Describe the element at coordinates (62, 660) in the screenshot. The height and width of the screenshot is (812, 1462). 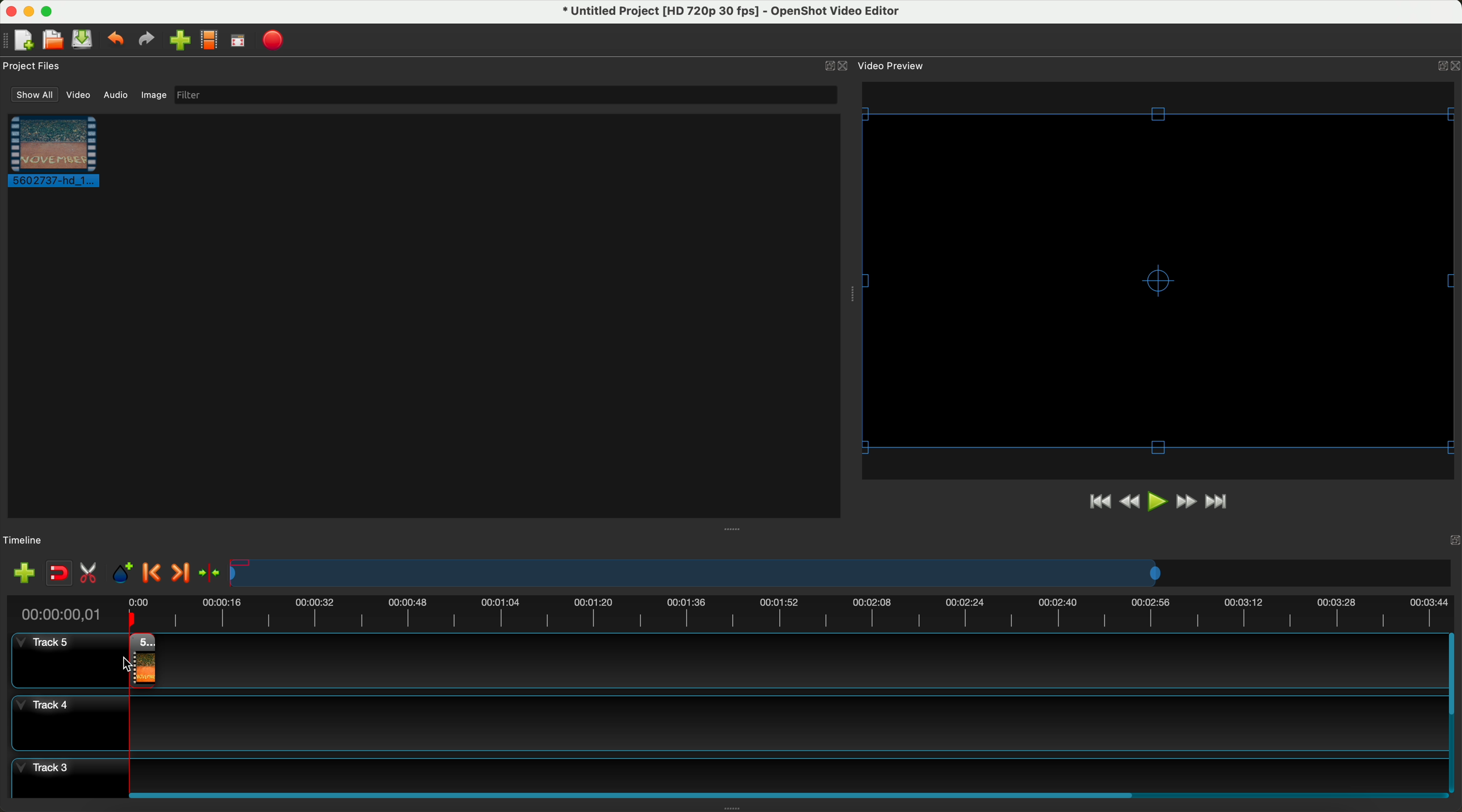
I see `track 5` at that location.